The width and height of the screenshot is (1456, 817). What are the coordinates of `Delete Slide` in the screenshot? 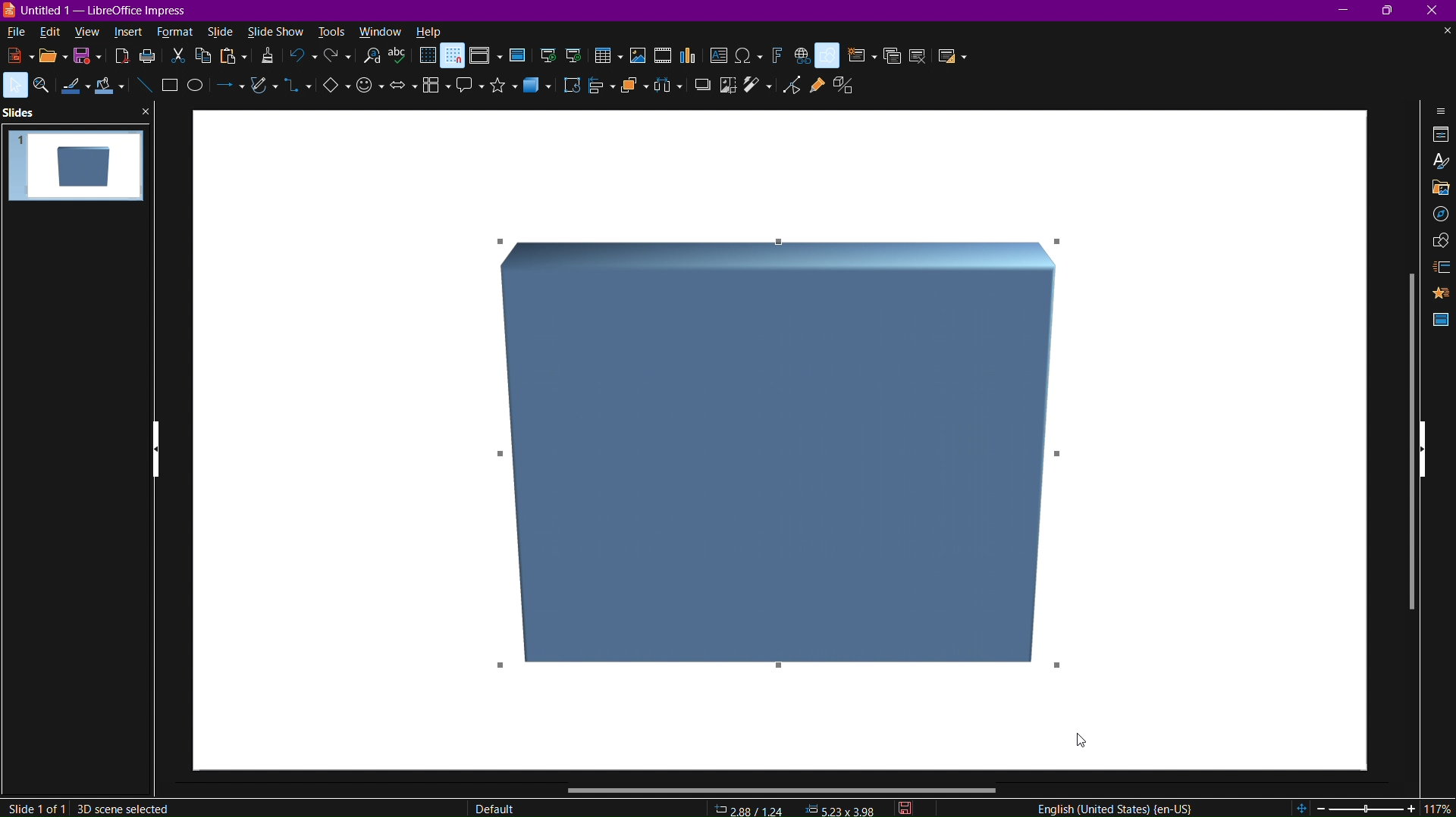 It's located at (918, 55).